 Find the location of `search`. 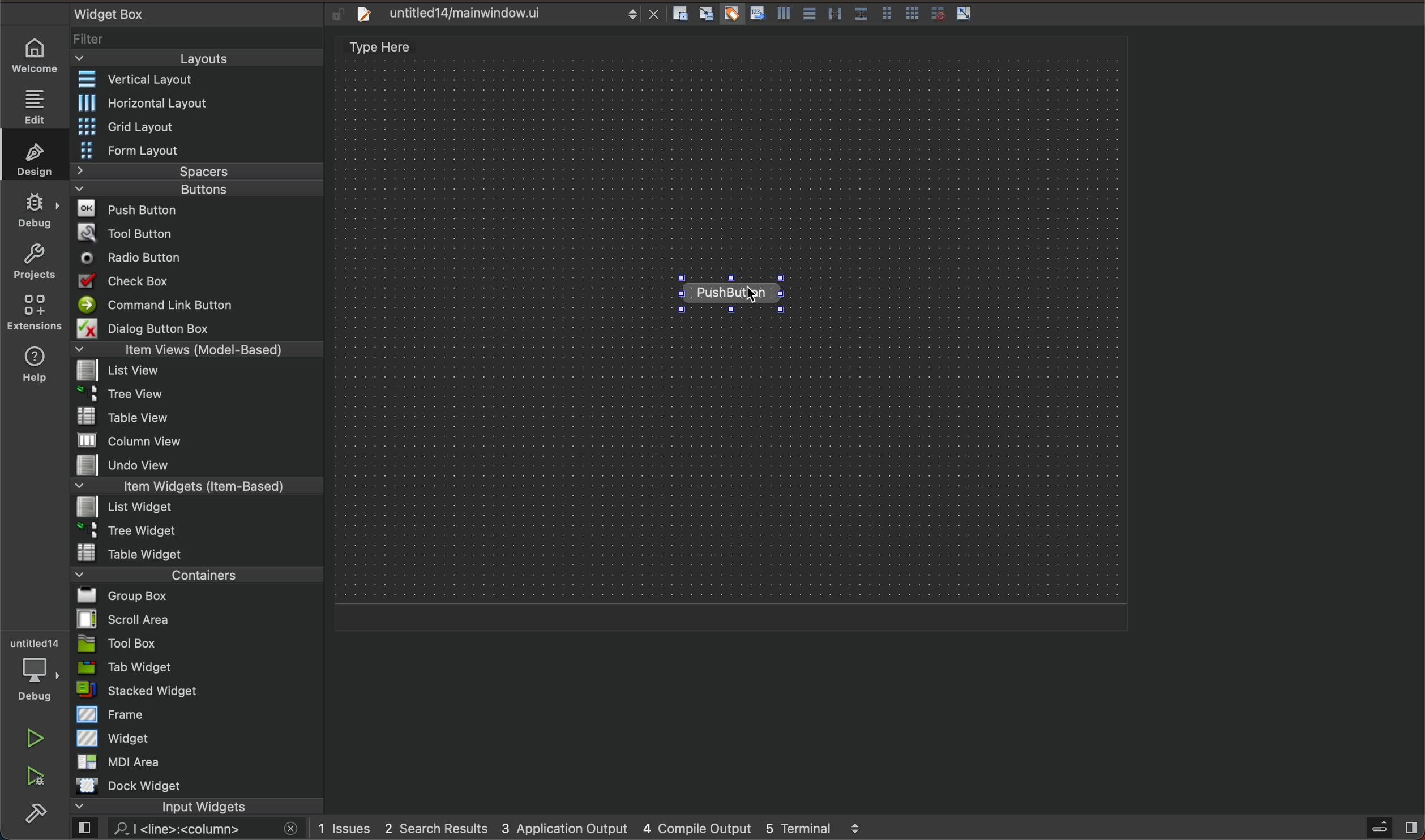

search is located at coordinates (185, 829).